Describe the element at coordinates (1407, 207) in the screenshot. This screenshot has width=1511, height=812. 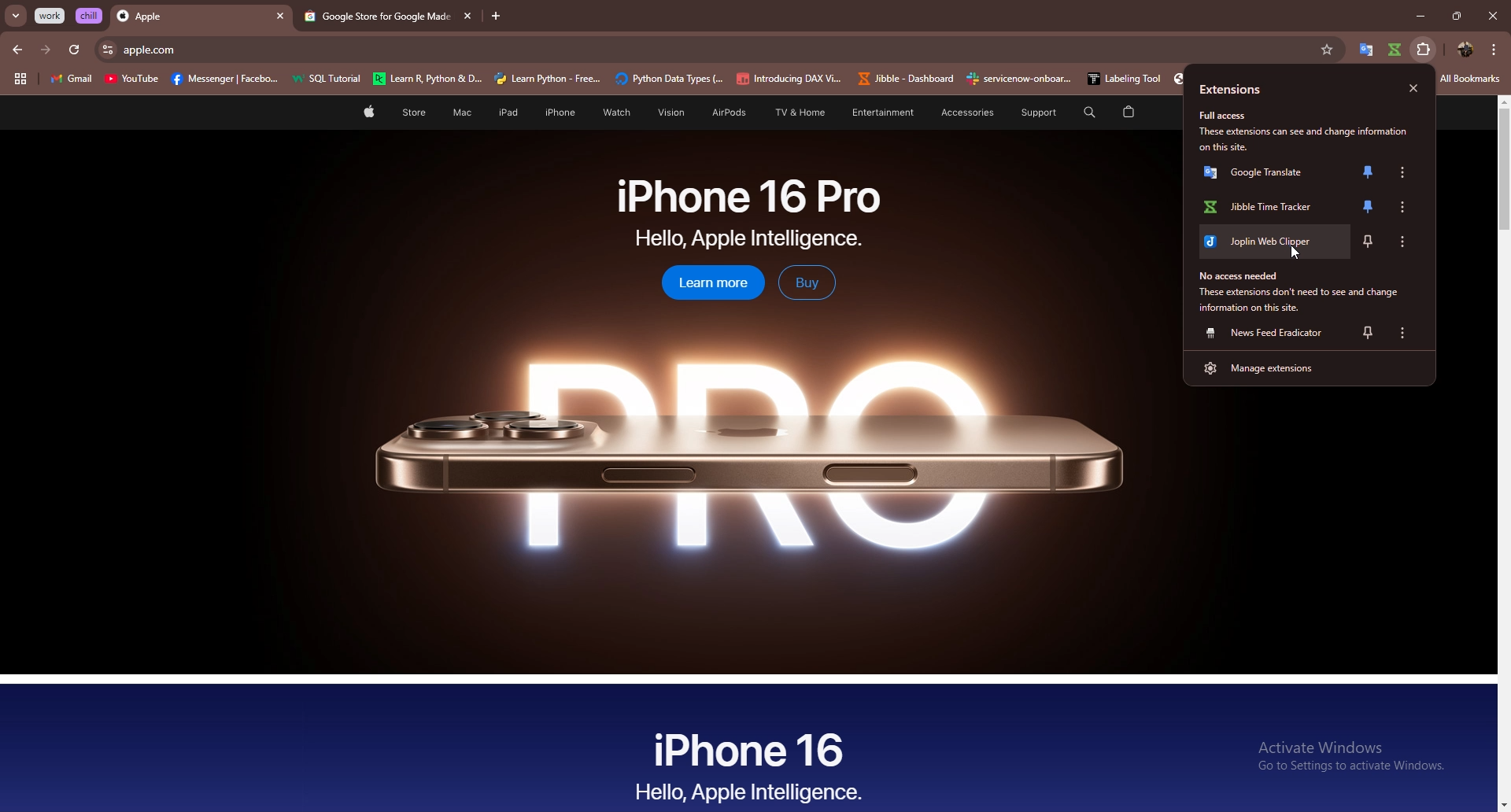
I see `option` at that location.